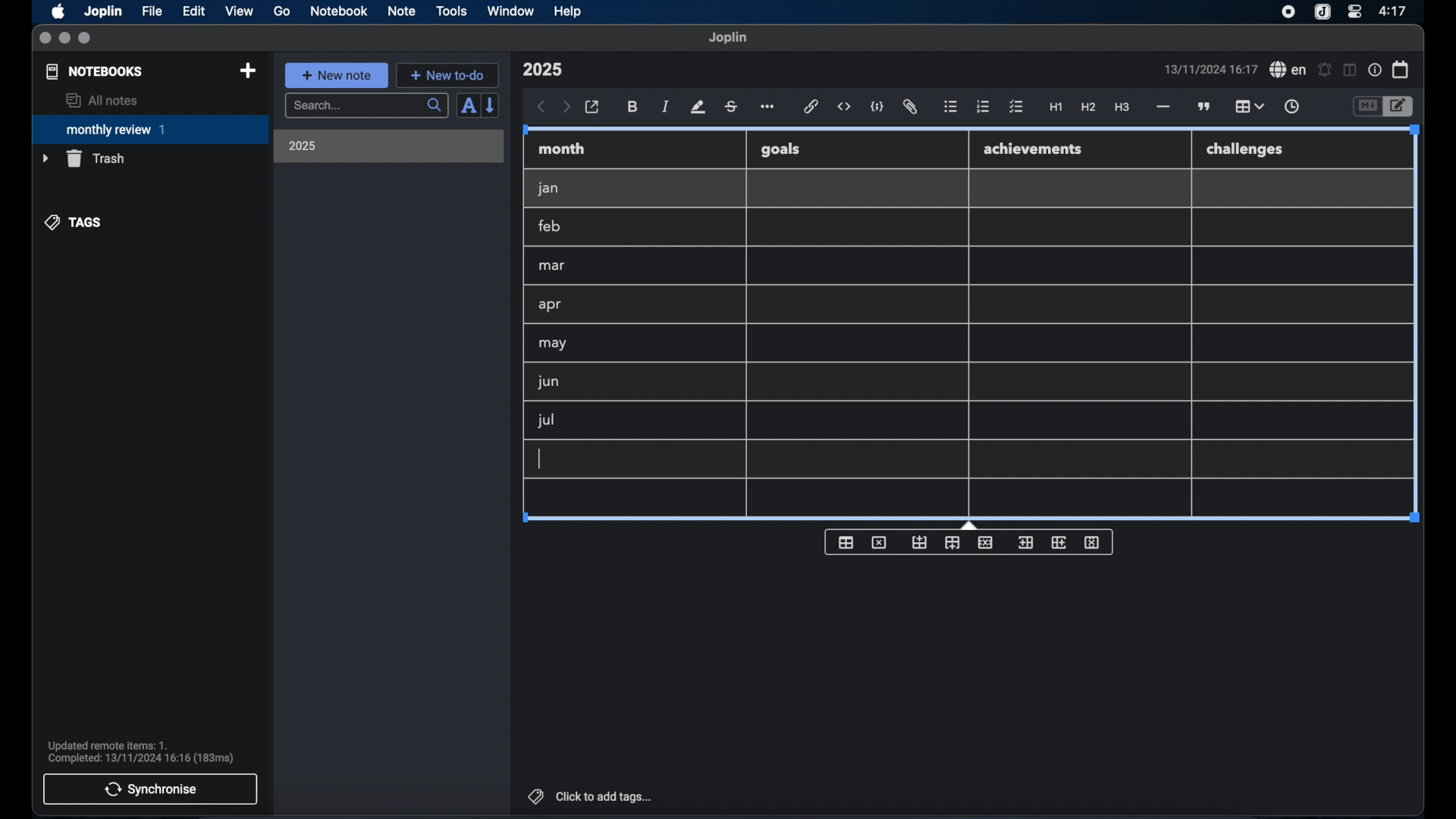 The image size is (1456, 819). I want to click on strikethrough, so click(730, 107).